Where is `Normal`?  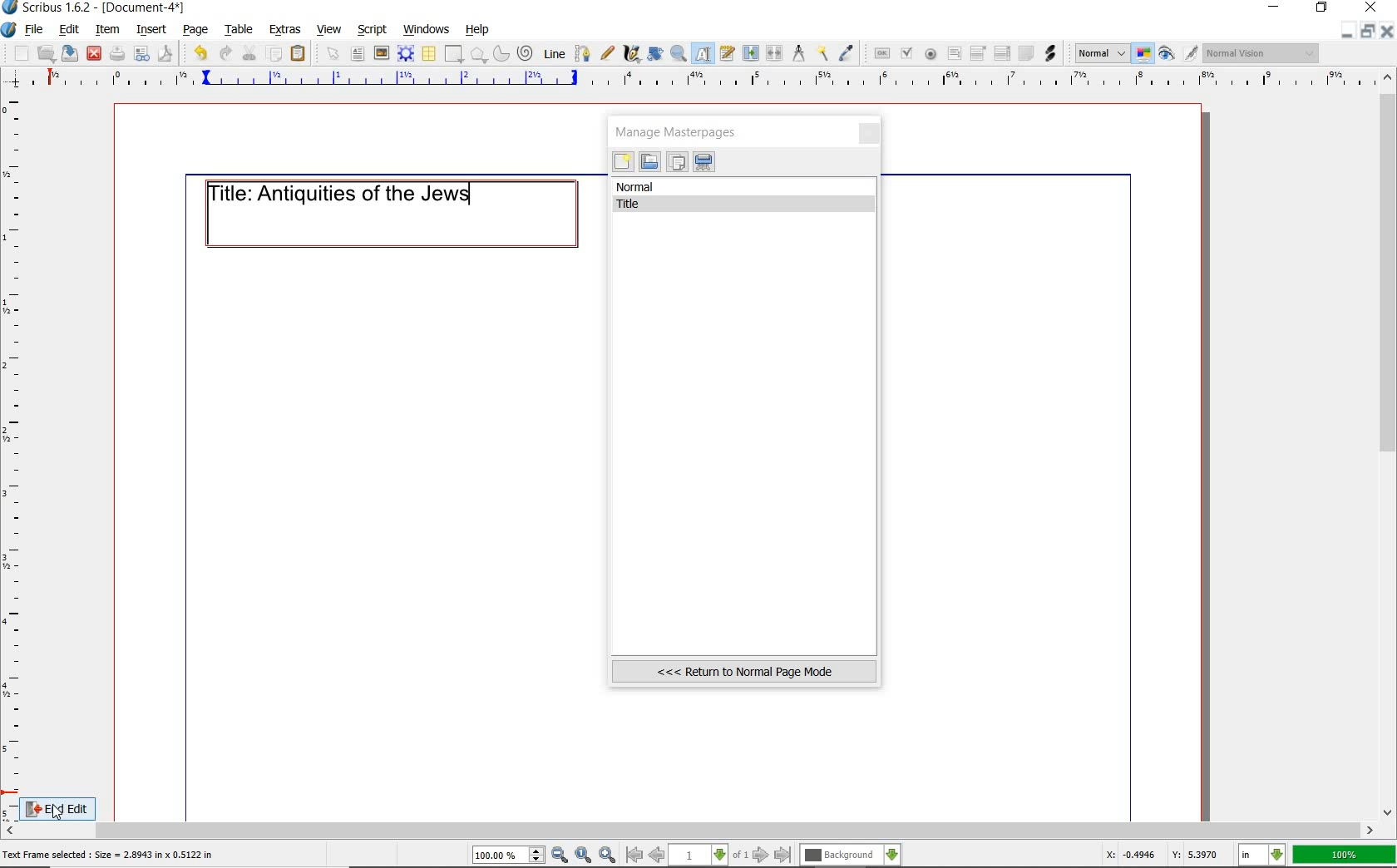
Normal is located at coordinates (1100, 53).